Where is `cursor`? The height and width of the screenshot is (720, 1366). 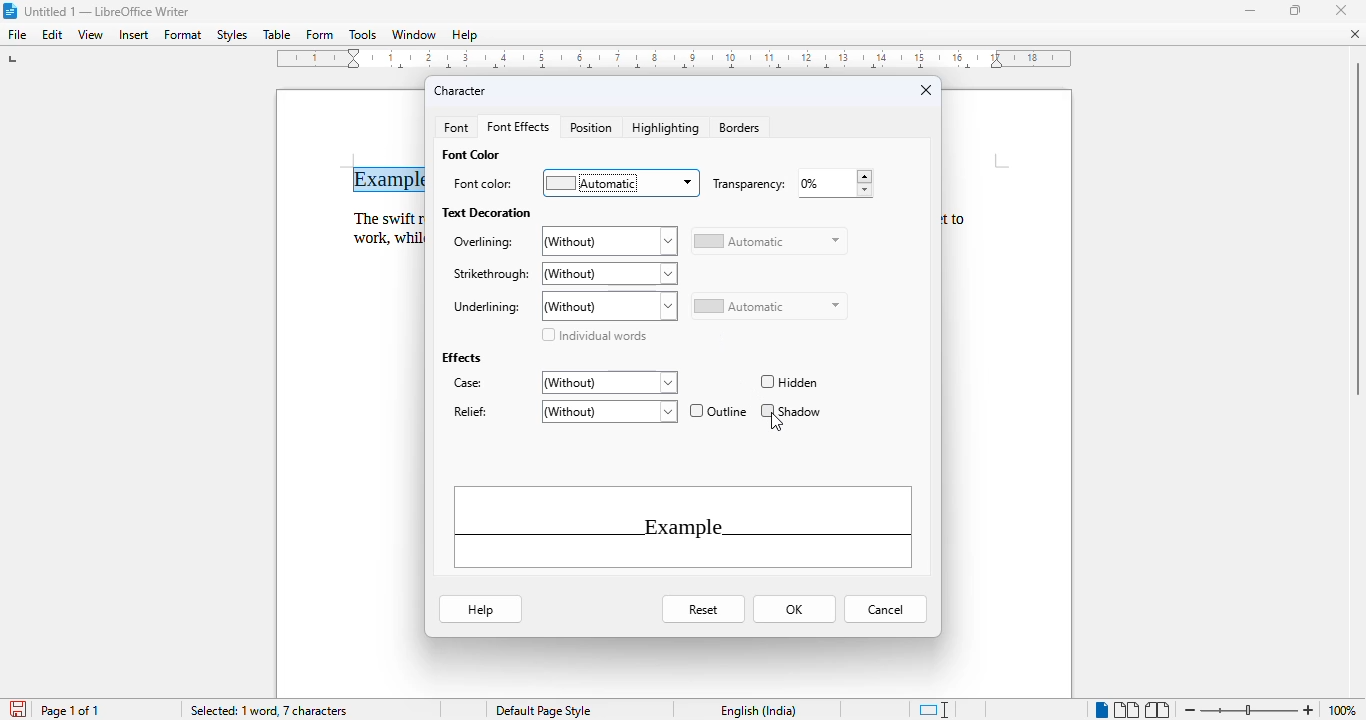 cursor is located at coordinates (778, 423).